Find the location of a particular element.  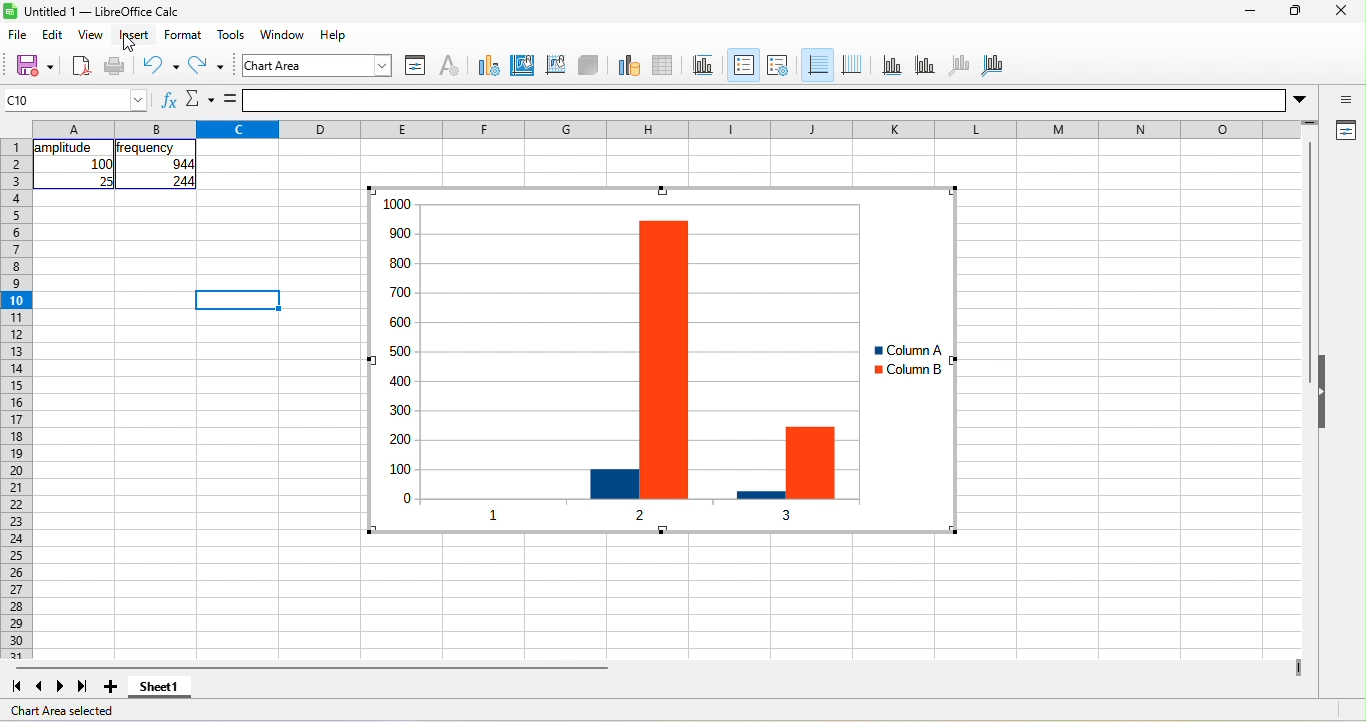

character is located at coordinates (448, 65).